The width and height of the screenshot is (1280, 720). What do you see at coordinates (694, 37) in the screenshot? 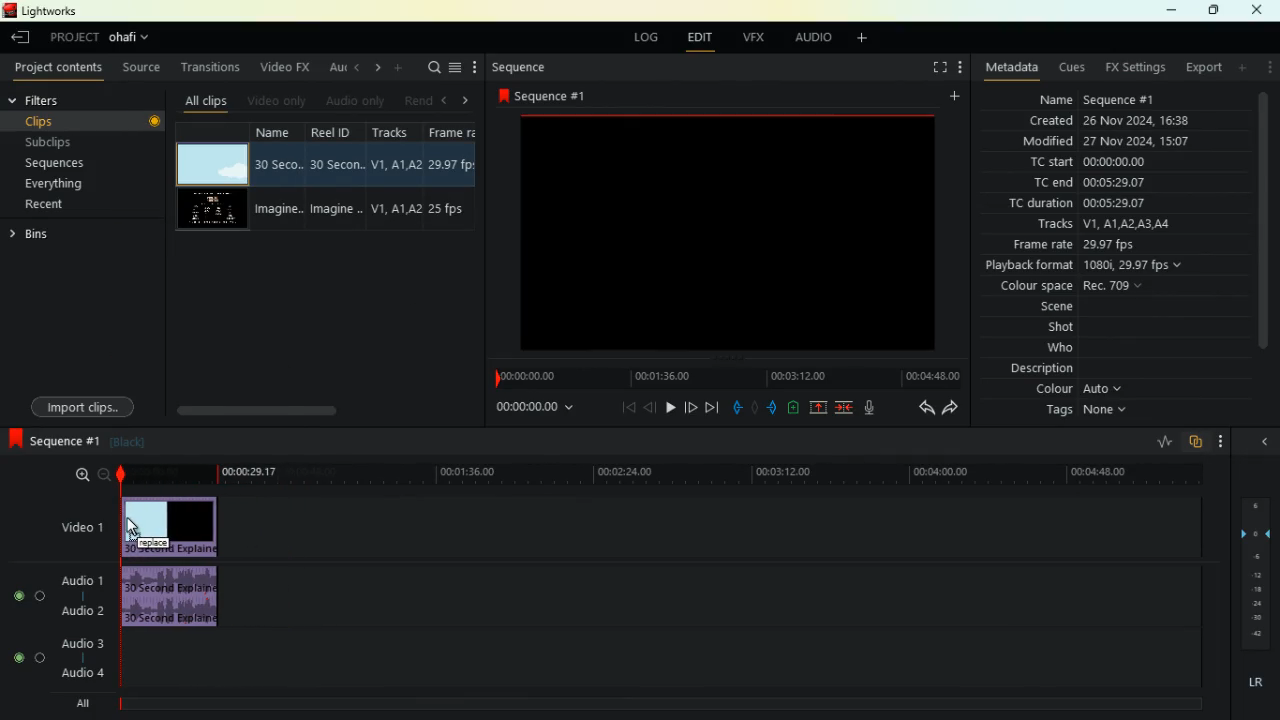
I see `edit` at bounding box center [694, 37].